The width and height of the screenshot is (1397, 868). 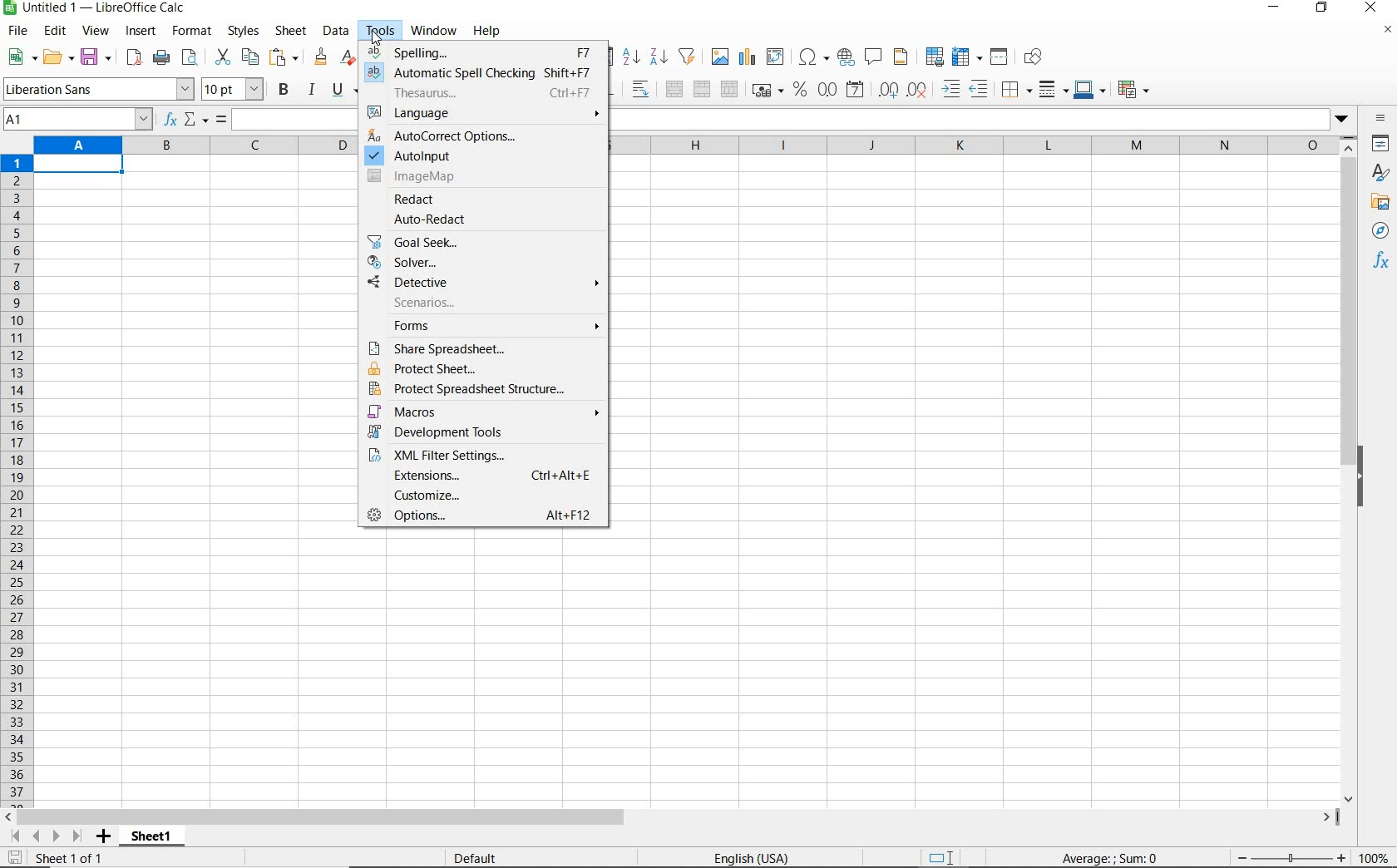 What do you see at coordinates (1000, 58) in the screenshot?
I see `split window` at bounding box center [1000, 58].